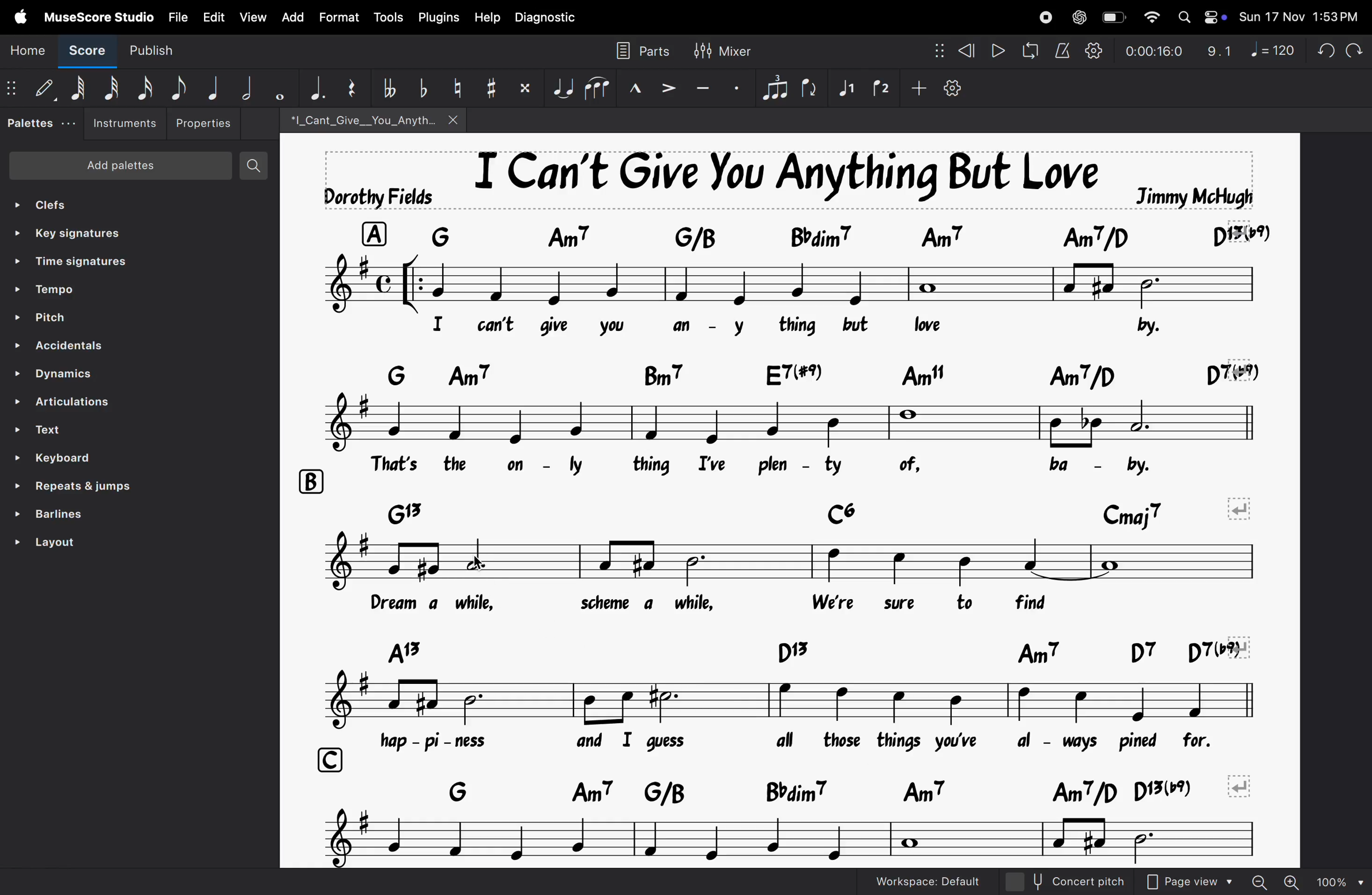 This screenshot has width=1372, height=895. I want to click on cursor on rythym, so click(483, 567).